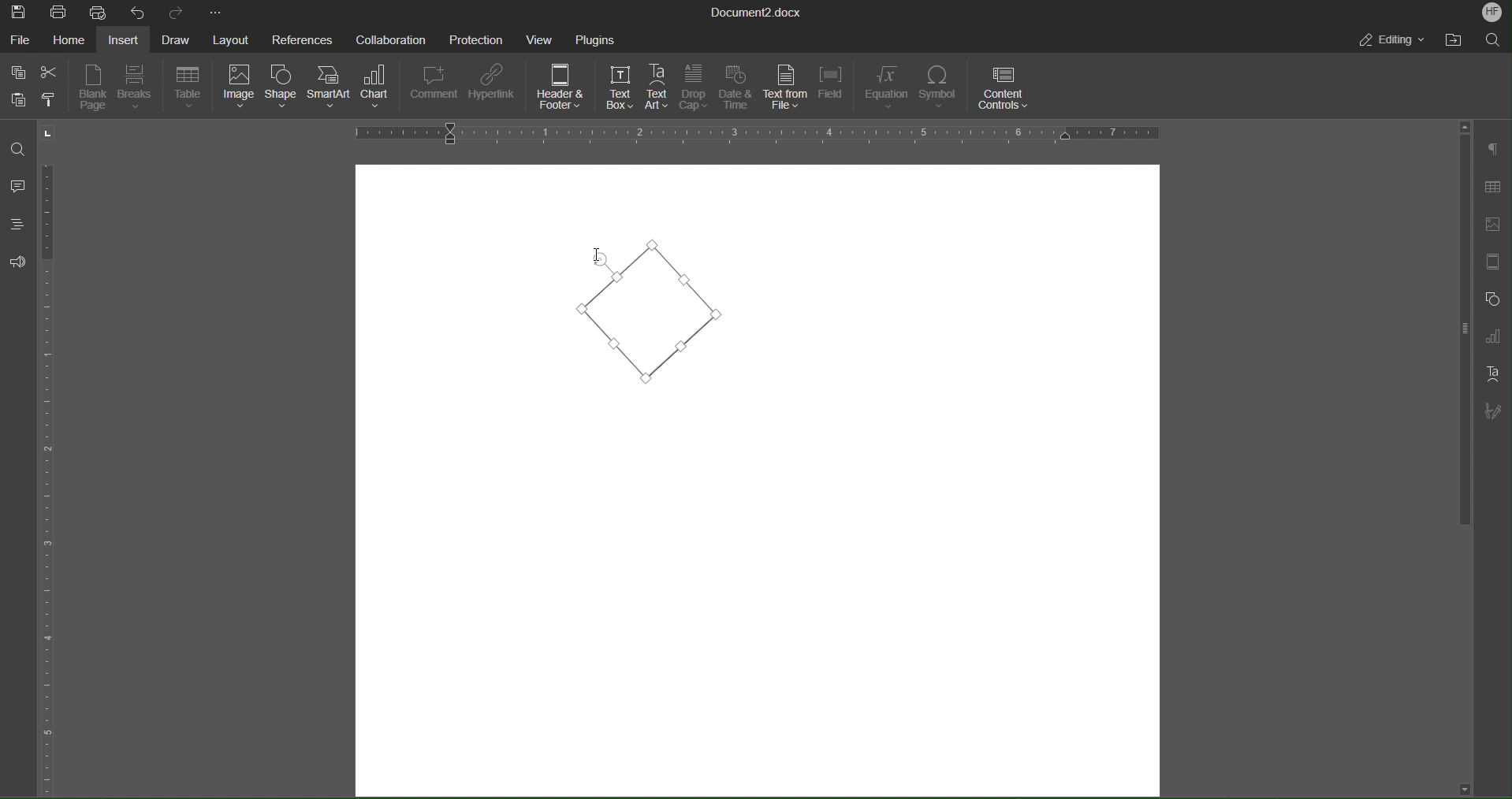 This screenshot has height=799, width=1512. Describe the element at coordinates (620, 87) in the screenshot. I see `Text Box` at that location.